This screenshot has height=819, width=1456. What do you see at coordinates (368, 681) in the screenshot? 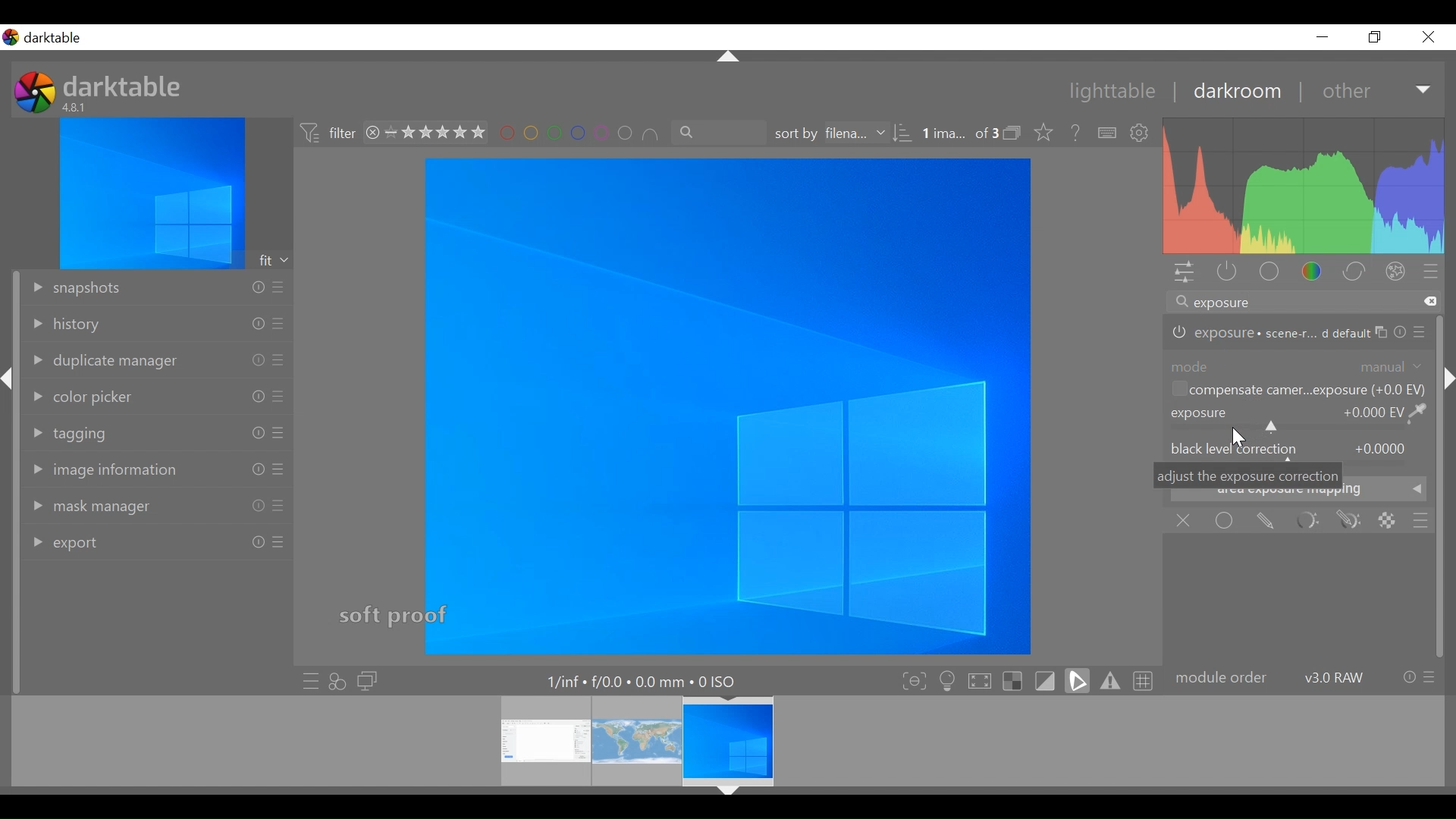
I see `display a second darkroom image window` at bounding box center [368, 681].